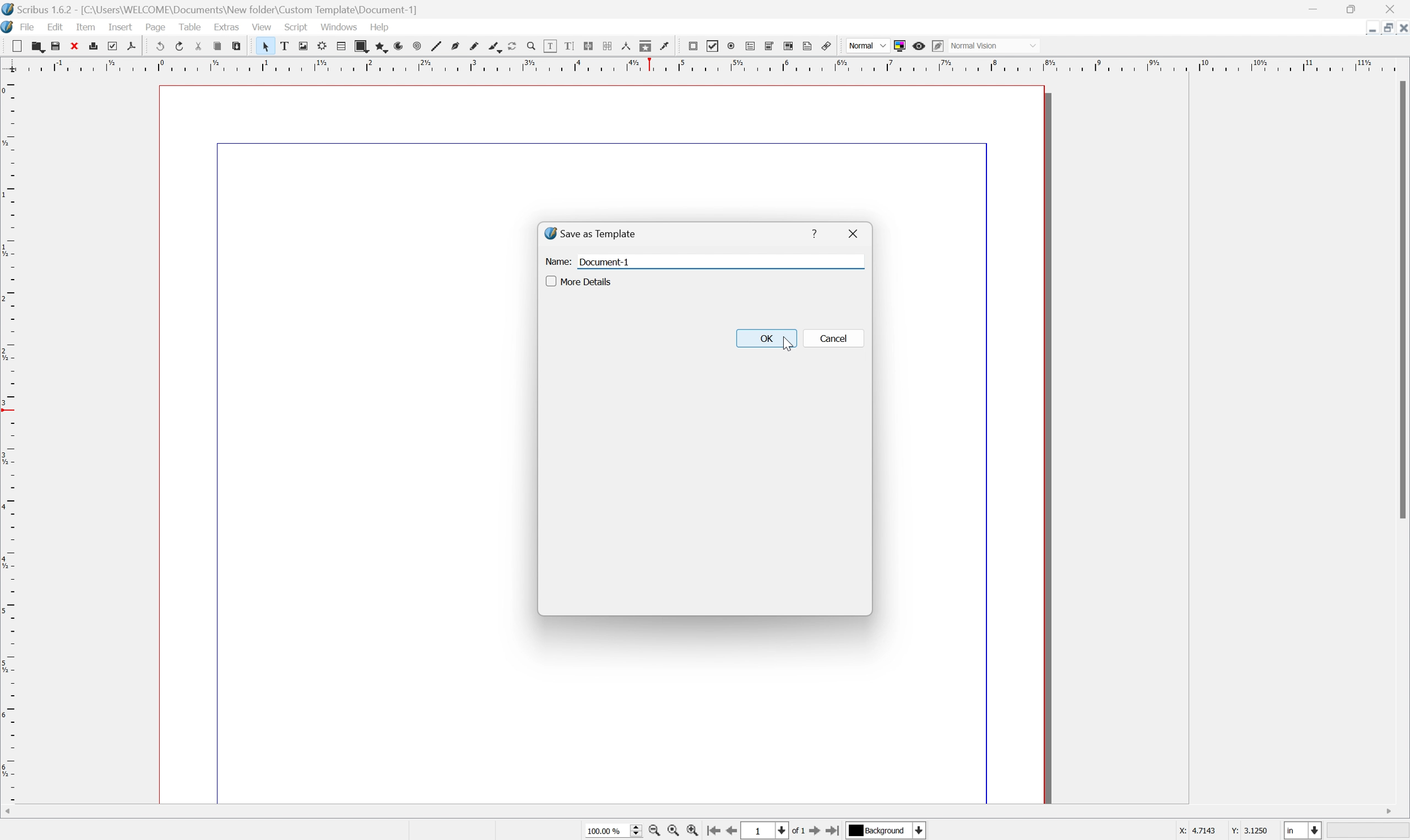 The height and width of the screenshot is (840, 1410). Describe the element at coordinates (240, 47) in the screenshot. I see `paste` at that location.